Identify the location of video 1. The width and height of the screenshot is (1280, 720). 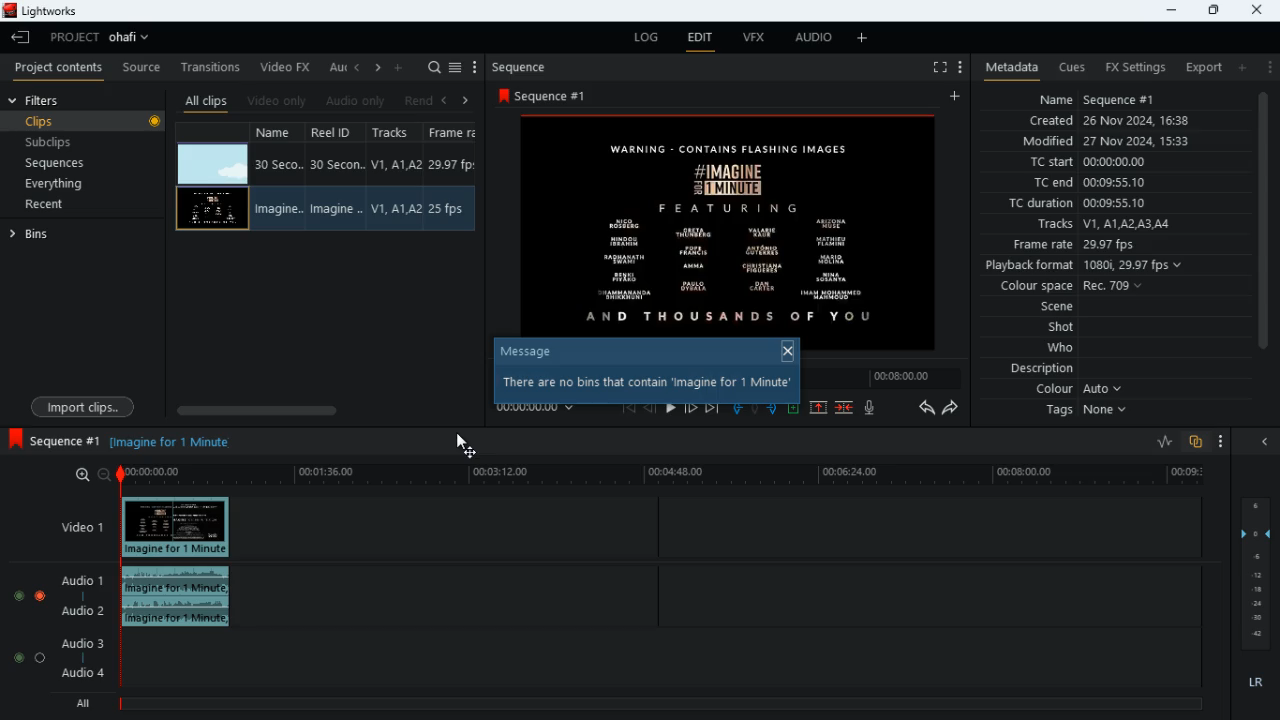
(75, 526).